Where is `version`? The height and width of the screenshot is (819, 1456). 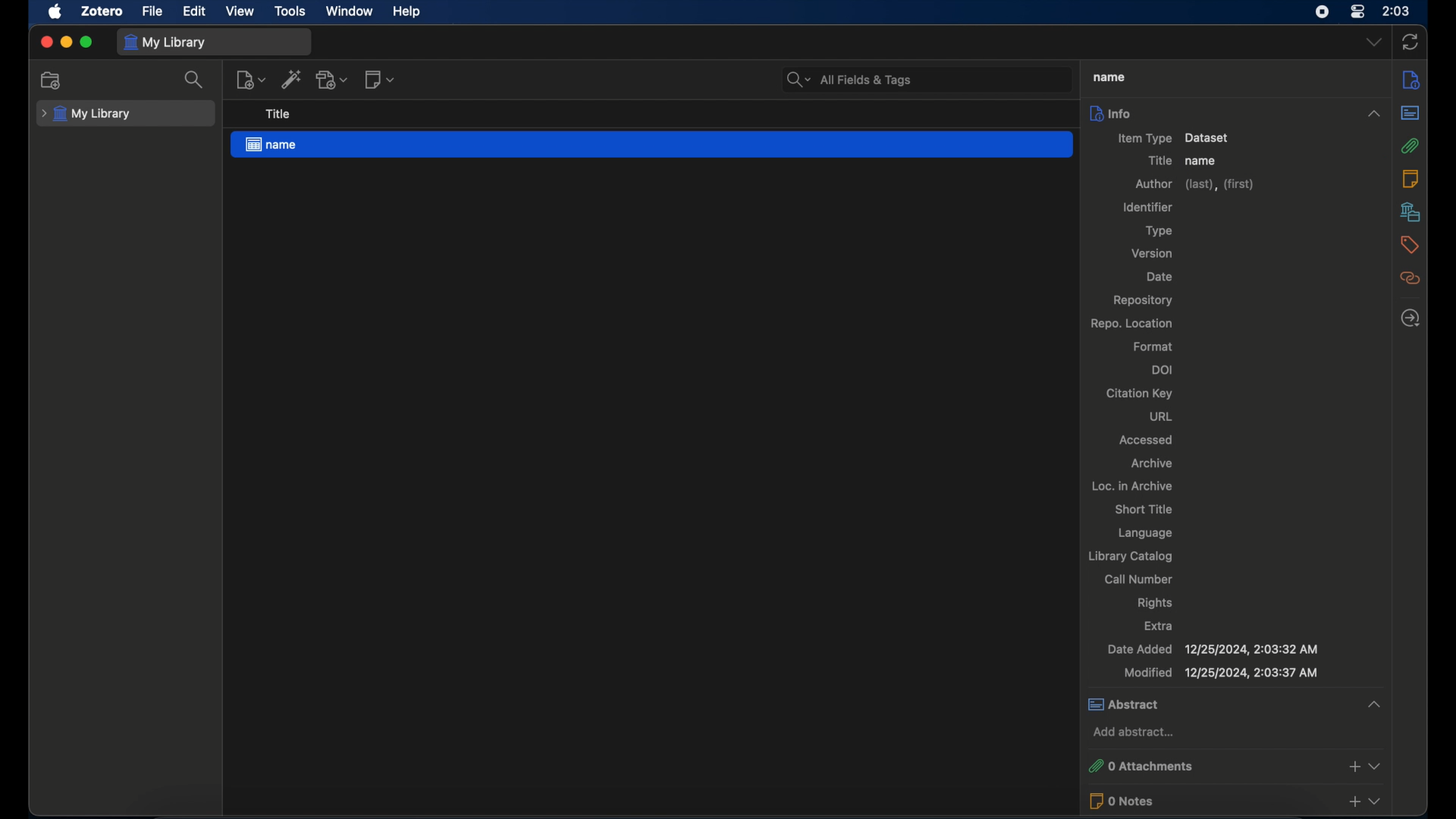
version is located at coordinates (1152, 253).